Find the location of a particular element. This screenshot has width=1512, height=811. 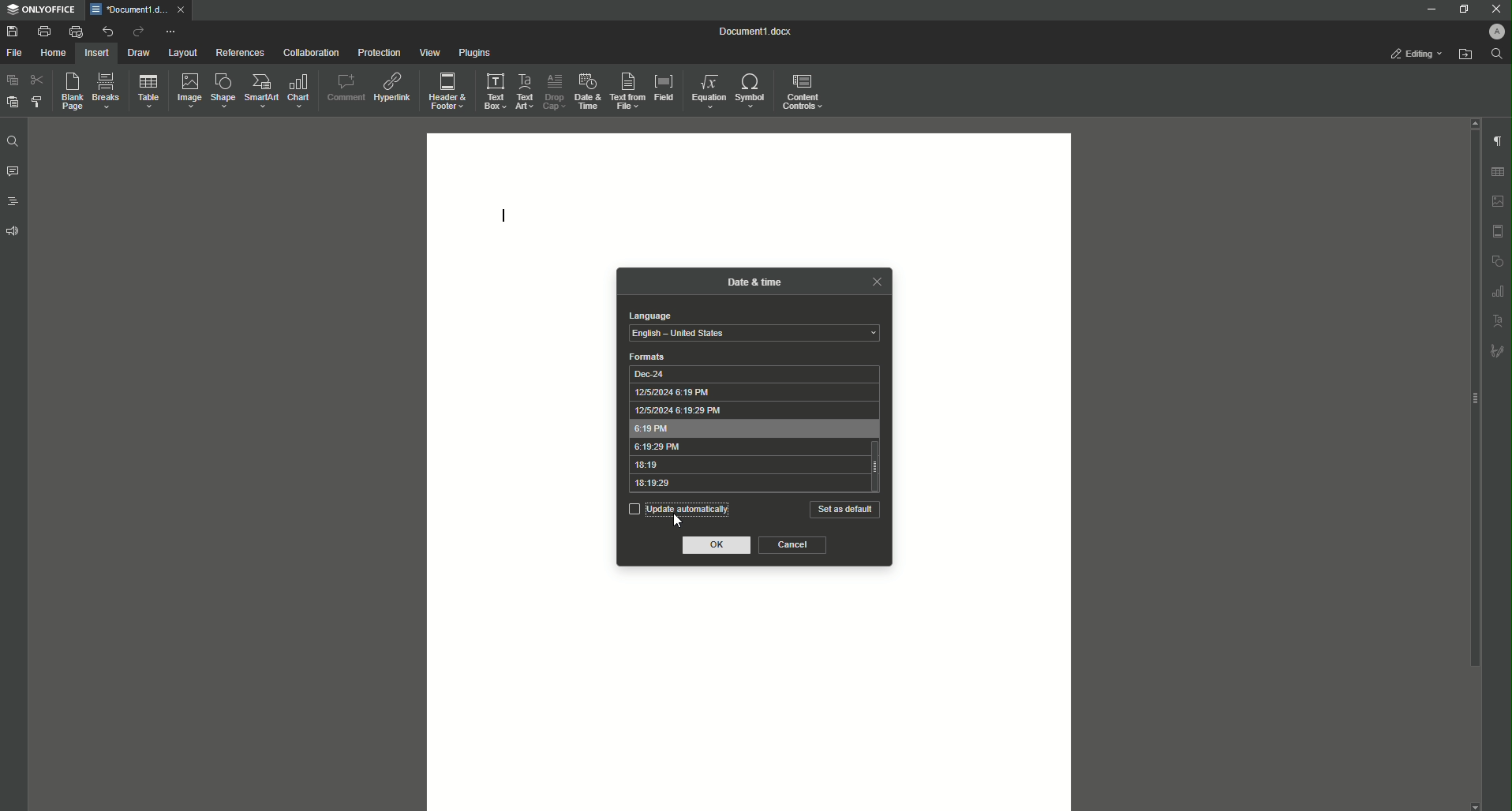

Minimize is located at coordinates (1429, 9).